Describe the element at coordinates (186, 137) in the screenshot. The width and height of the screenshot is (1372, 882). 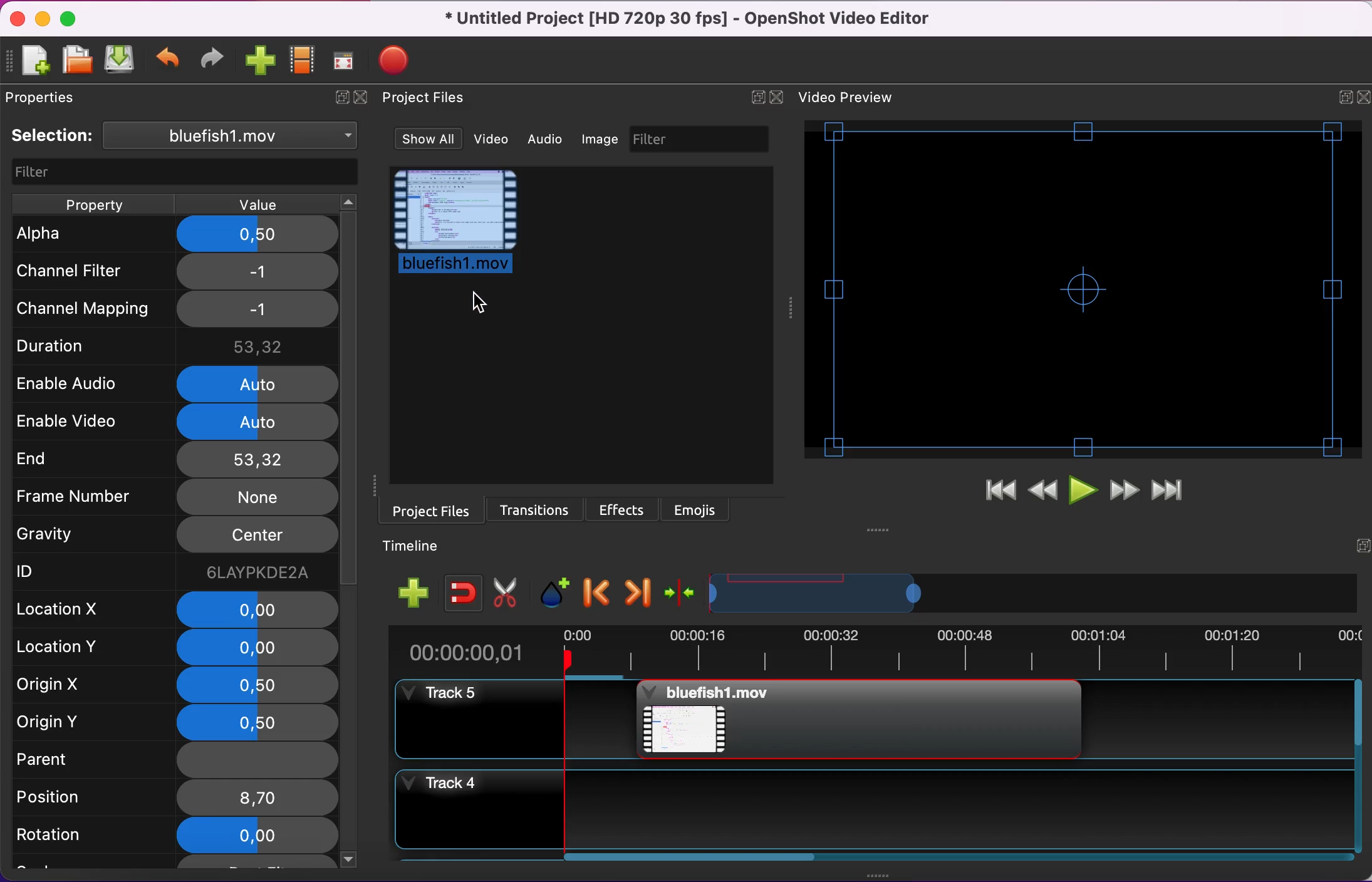
I see `selection` at that location.